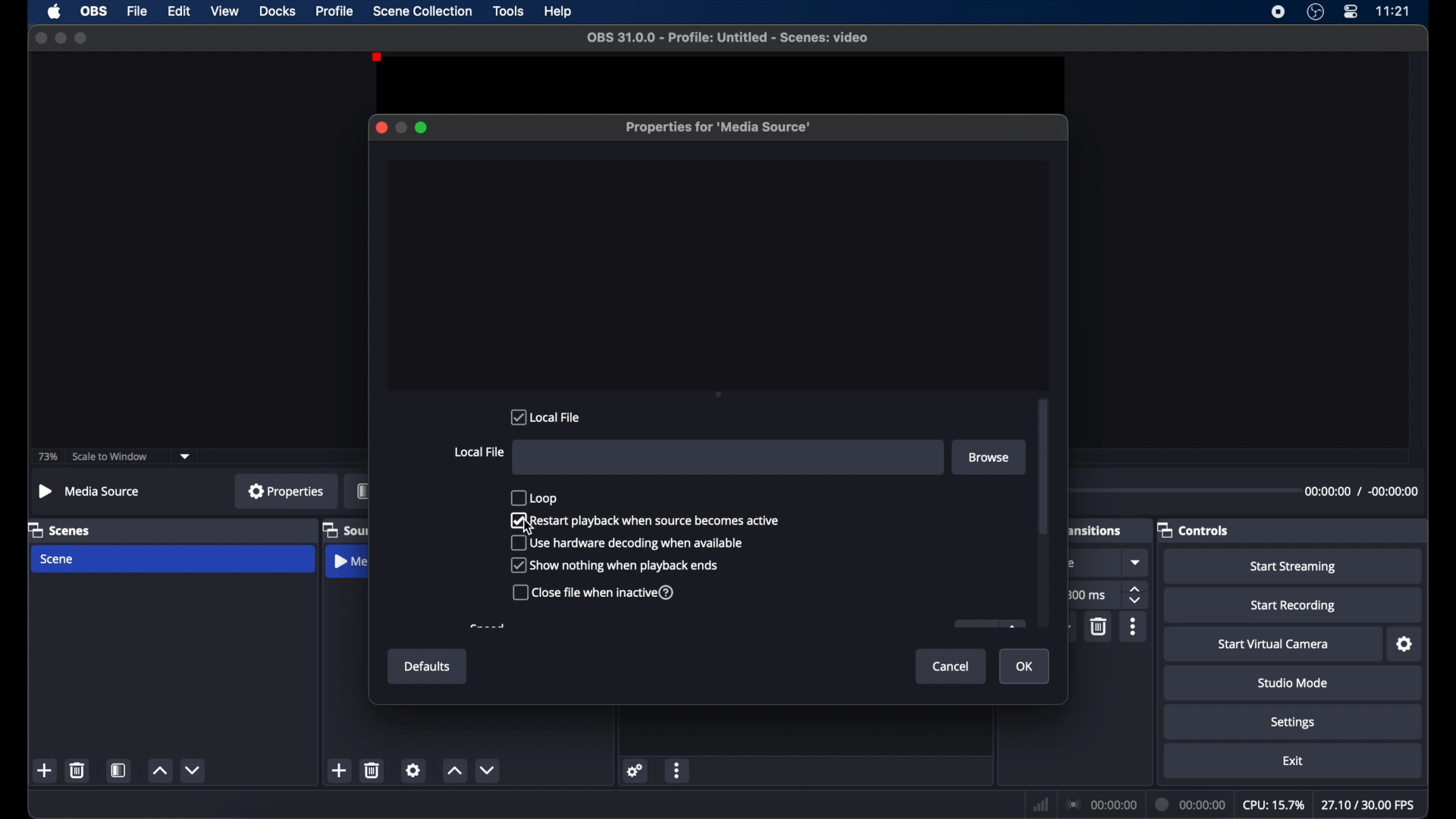  Describe the element at coordinates (1133, 626) in the screenshot. I see `more options` at that location.